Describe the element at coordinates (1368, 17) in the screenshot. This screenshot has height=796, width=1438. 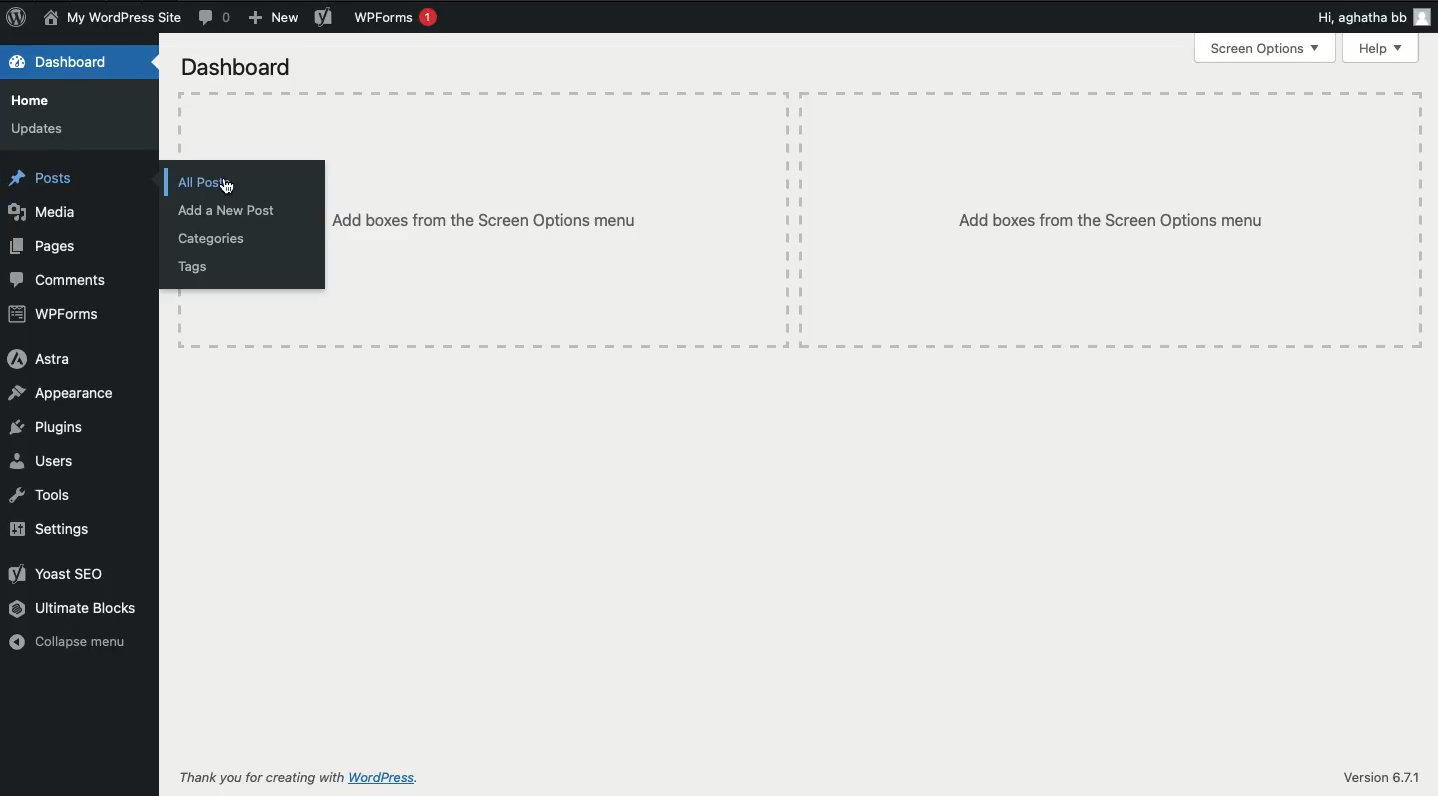
I see `Hi user` at that location.